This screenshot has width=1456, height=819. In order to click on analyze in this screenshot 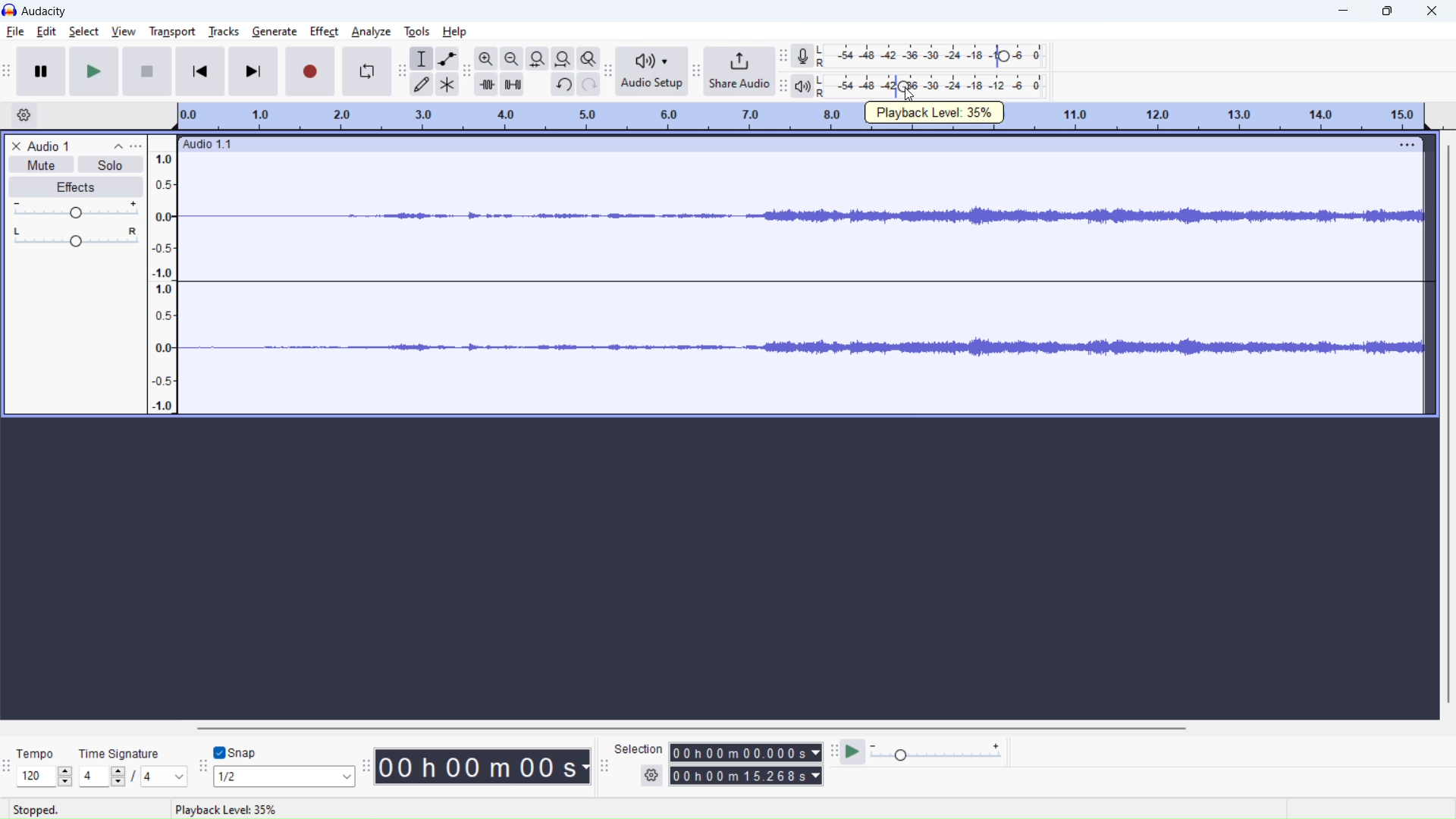, I will do `click(371, 31)`.